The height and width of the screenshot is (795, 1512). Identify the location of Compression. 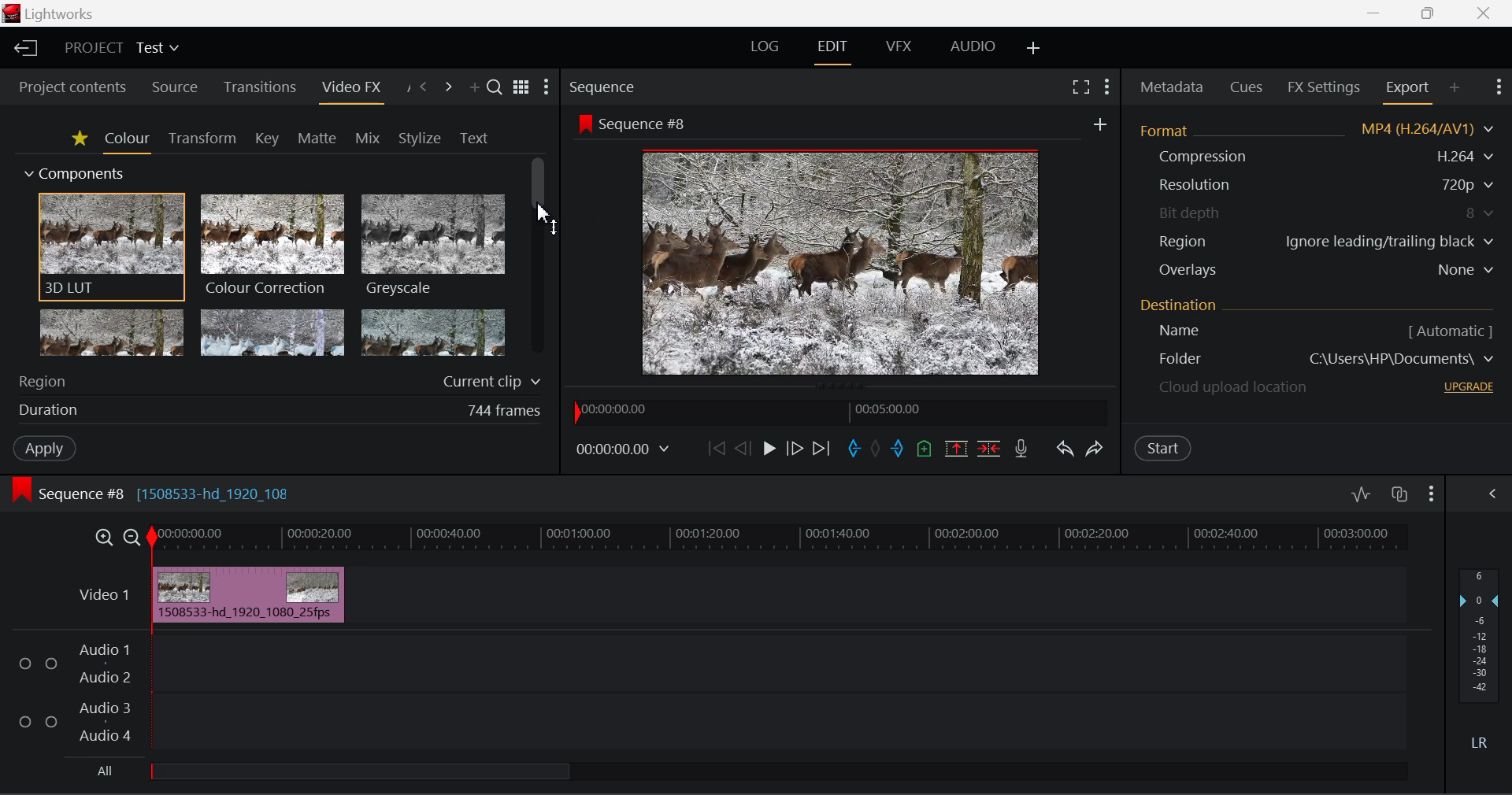
(1200, 157).